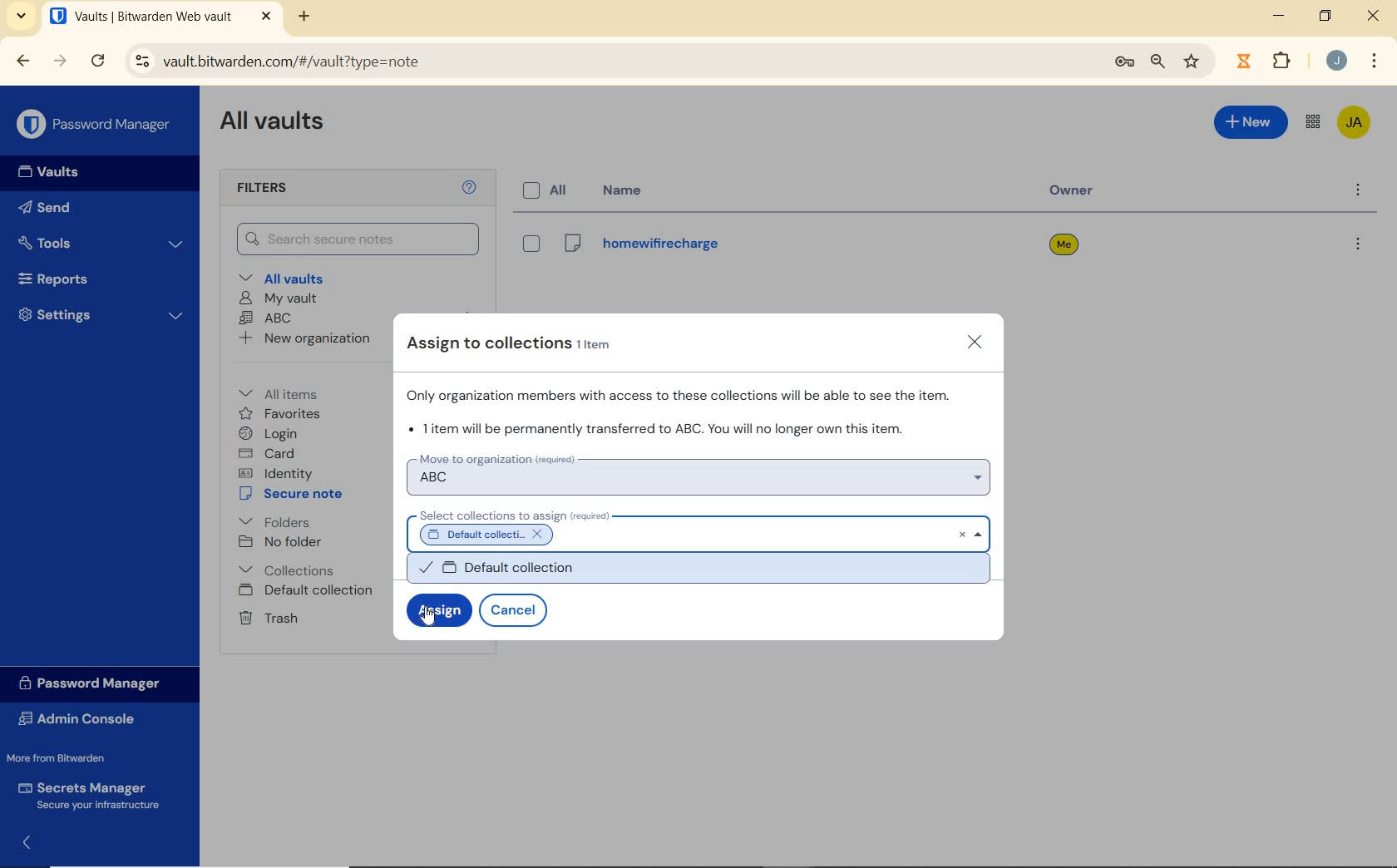  What do you see at coordinates (284, 277) in the screenshot?
I see `All vaults` at bounding box center [284, 277].